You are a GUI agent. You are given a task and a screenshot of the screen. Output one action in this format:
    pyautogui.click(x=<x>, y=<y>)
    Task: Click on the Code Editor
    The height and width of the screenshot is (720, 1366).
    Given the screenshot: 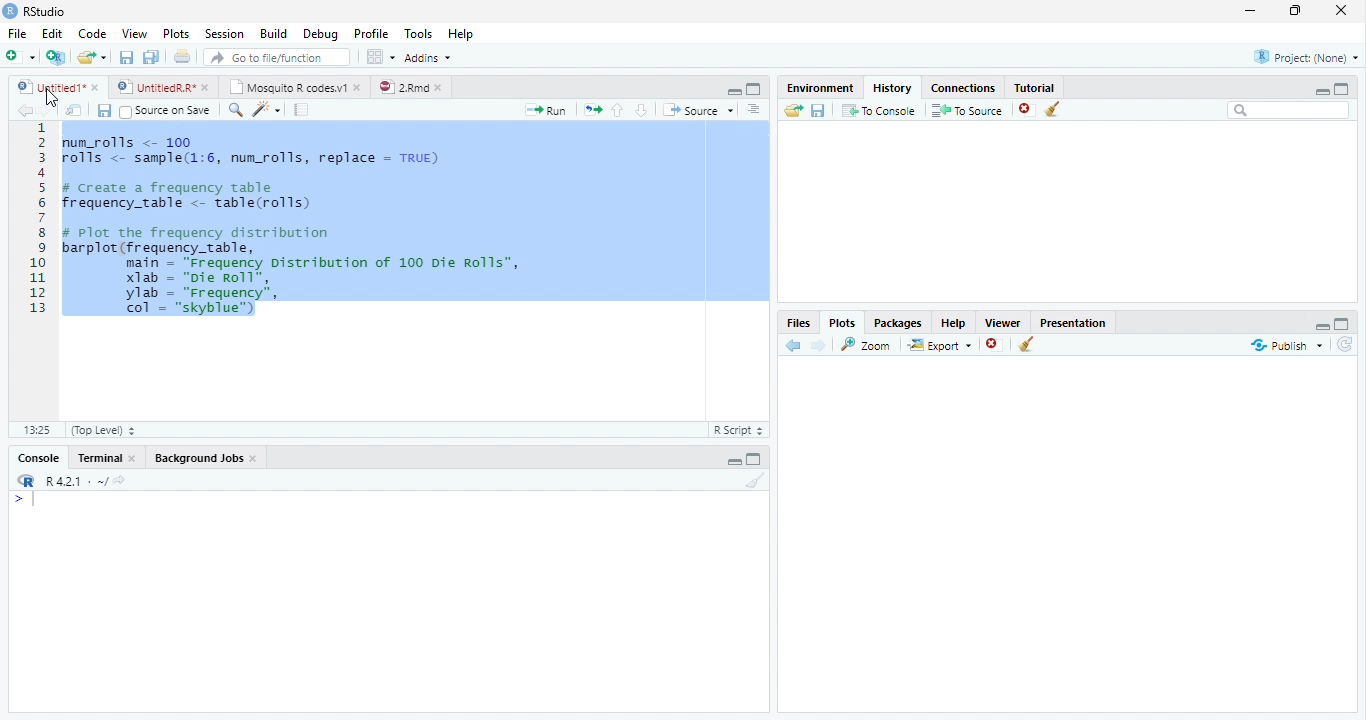 What is the action you would take?
    pyautogui.click(x=374, y=271)
    